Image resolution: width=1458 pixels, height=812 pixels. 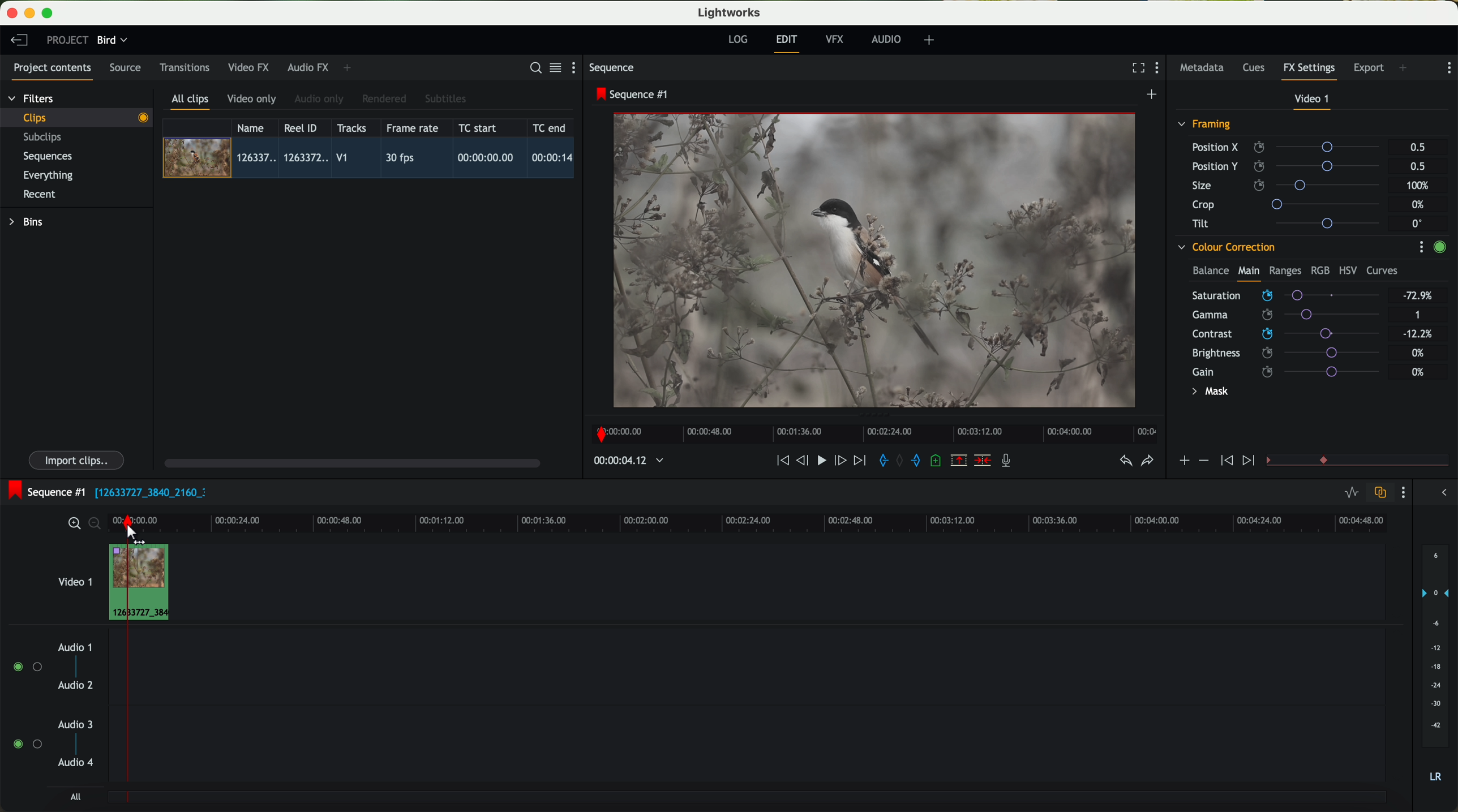 I want to click on log, so click(x=737, y=40).